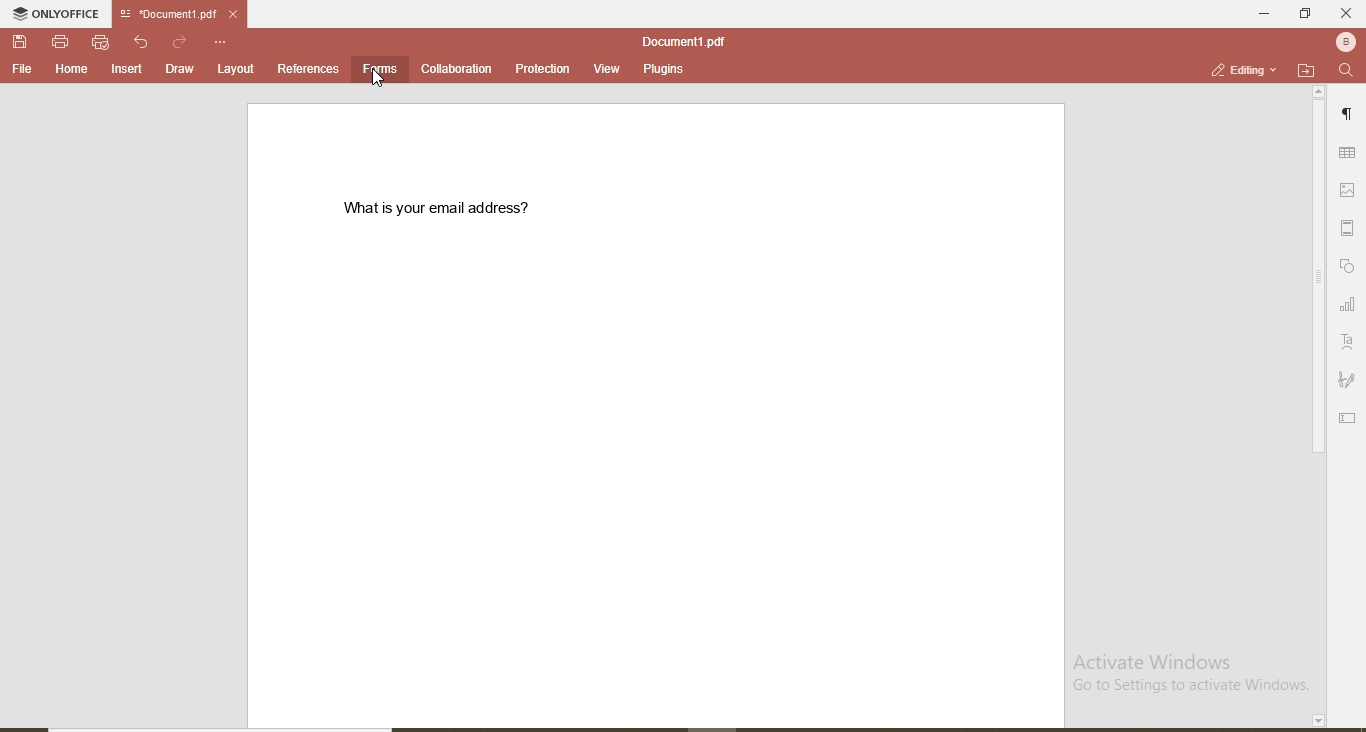  I want to click on quick print, so click(101, 42).